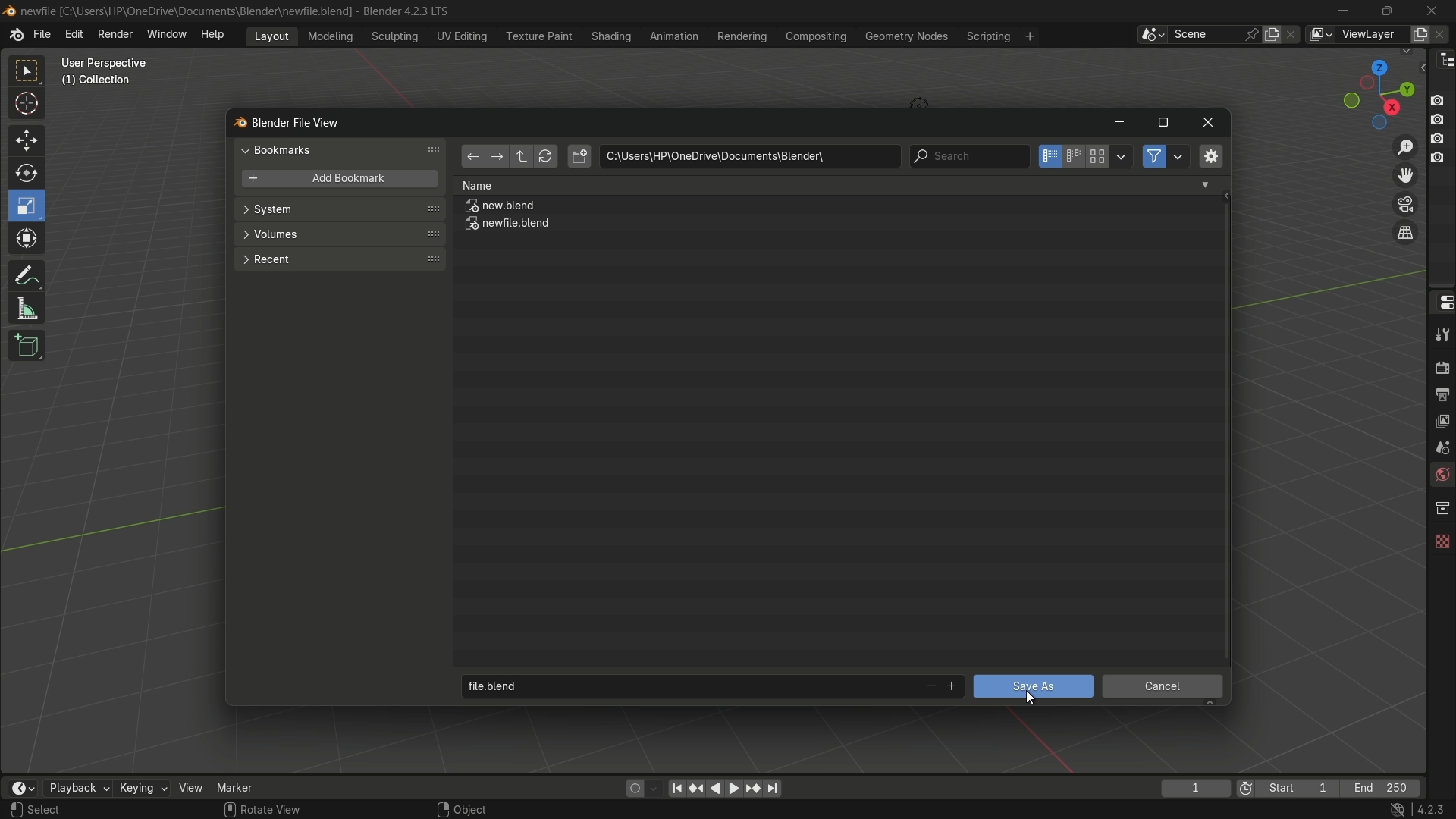 This screenshot has width=1456, height=819. What do you see at coordinates (1442, 59) in the screenshot?
I see `outliner` at bounding box center [1442, 59].